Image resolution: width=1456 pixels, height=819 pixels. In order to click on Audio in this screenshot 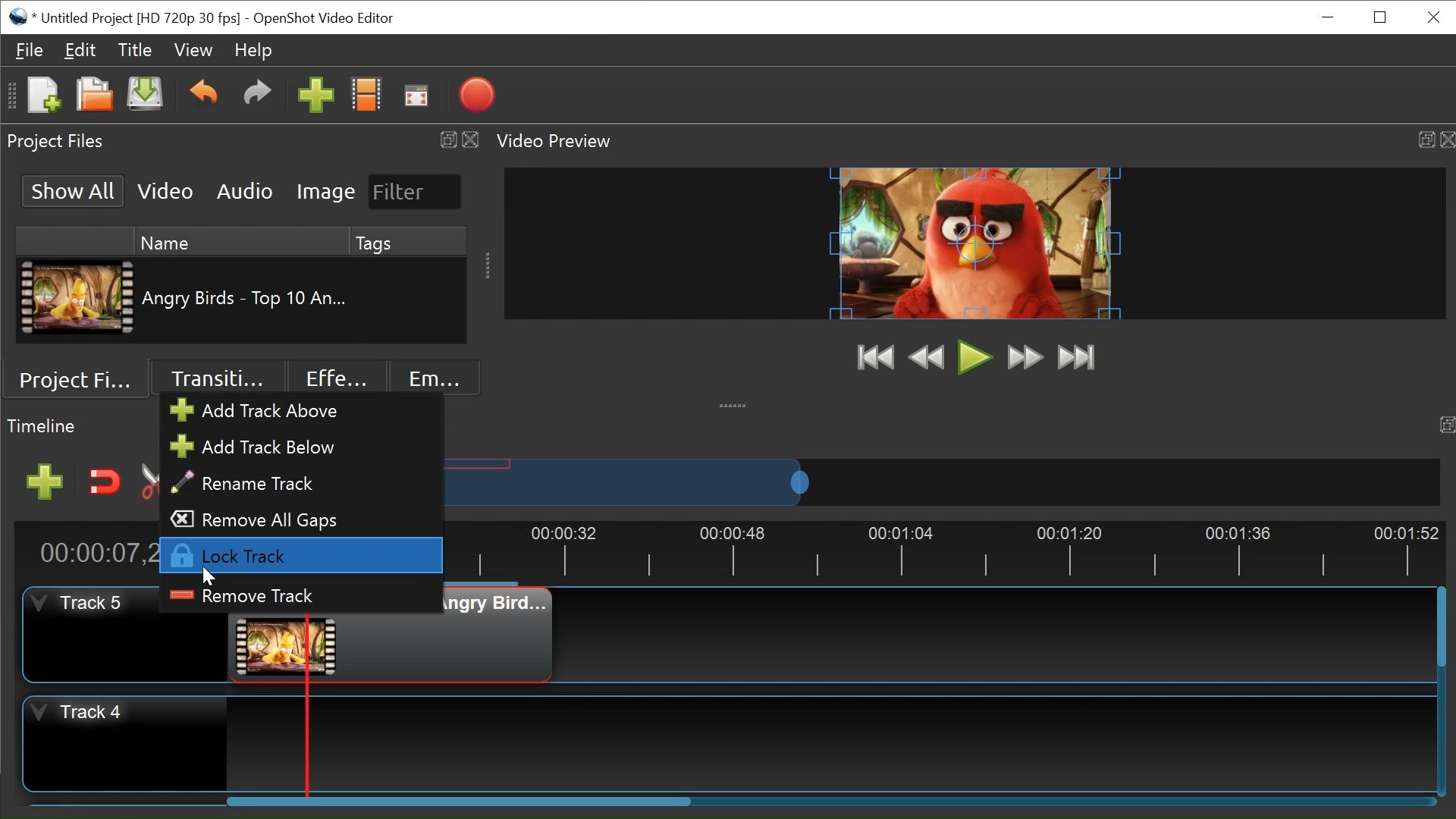, I will do `click(246, 190)`.